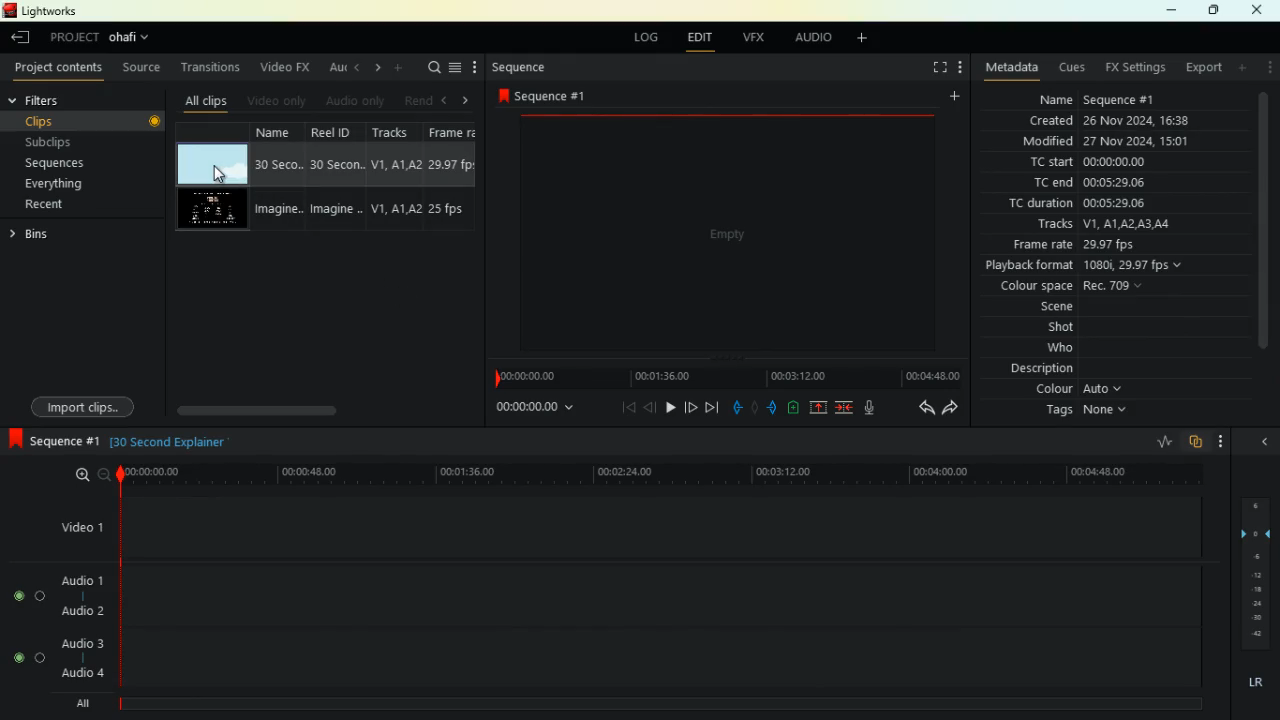 The image size is (1280, 720). Describe the element at coordinates (697, 37) in the screenshot. I see `edit` at that location.